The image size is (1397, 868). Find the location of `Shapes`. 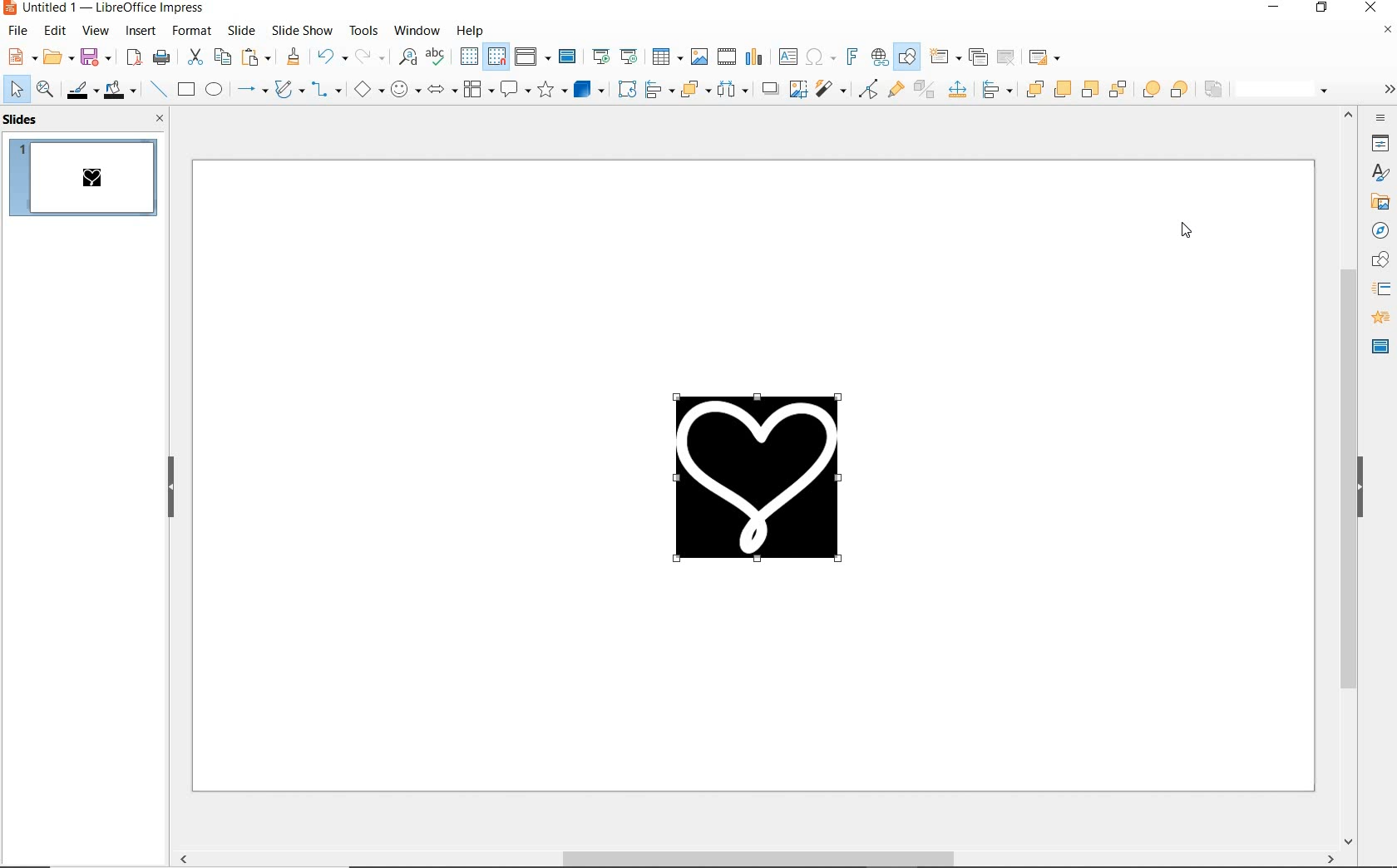

Shapes is located at coordinates (1381, 260).